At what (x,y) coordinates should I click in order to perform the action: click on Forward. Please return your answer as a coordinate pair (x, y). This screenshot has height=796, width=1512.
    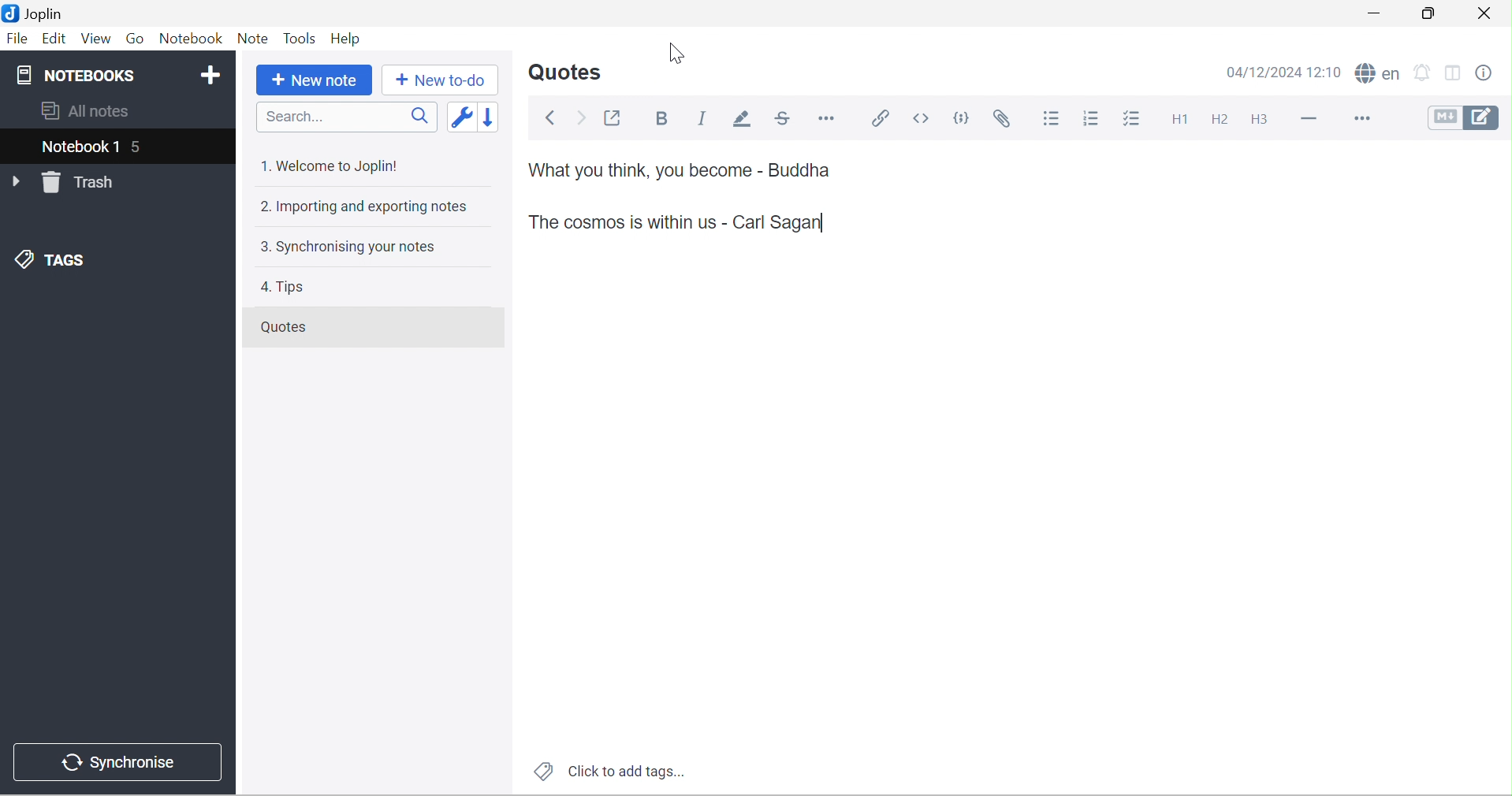
    Looking at the image, I should click on (581, 119).